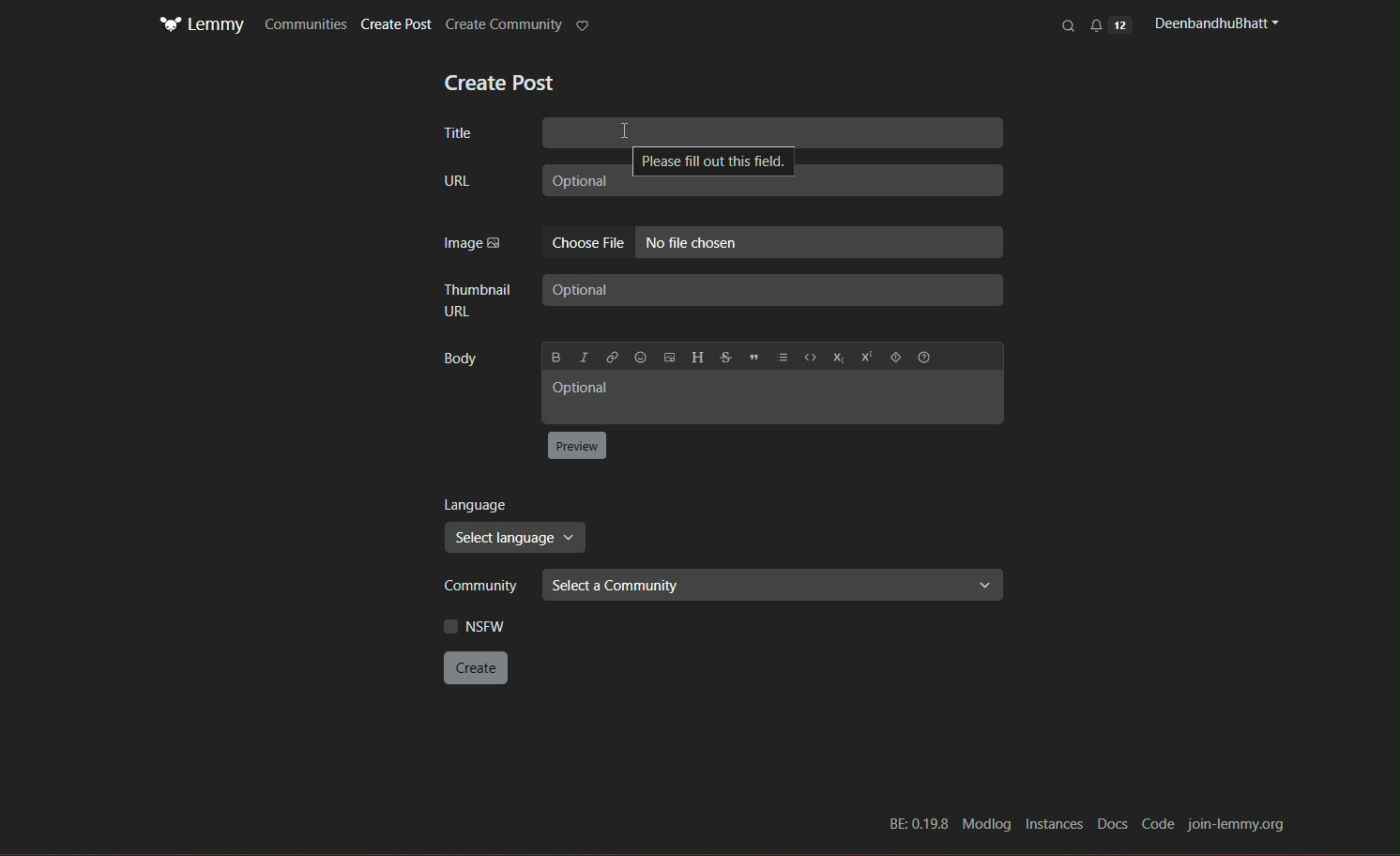  What do you see at coordinates (579, 445) in the screenshot?
I see `button` at bounding box center [579, 445].